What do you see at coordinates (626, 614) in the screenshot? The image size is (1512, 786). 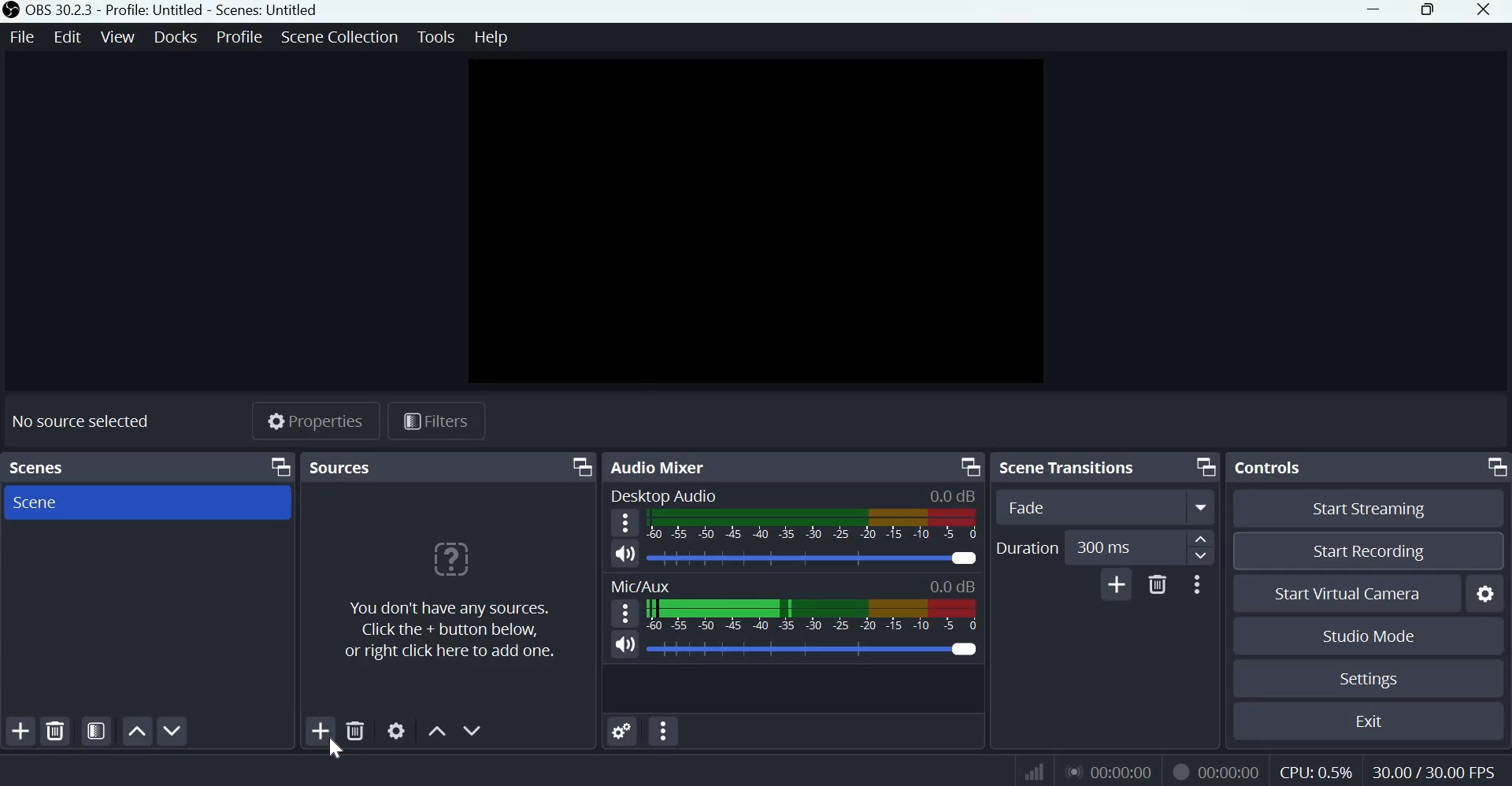 I see `hamburger menu` at bounding box center [626, 614].